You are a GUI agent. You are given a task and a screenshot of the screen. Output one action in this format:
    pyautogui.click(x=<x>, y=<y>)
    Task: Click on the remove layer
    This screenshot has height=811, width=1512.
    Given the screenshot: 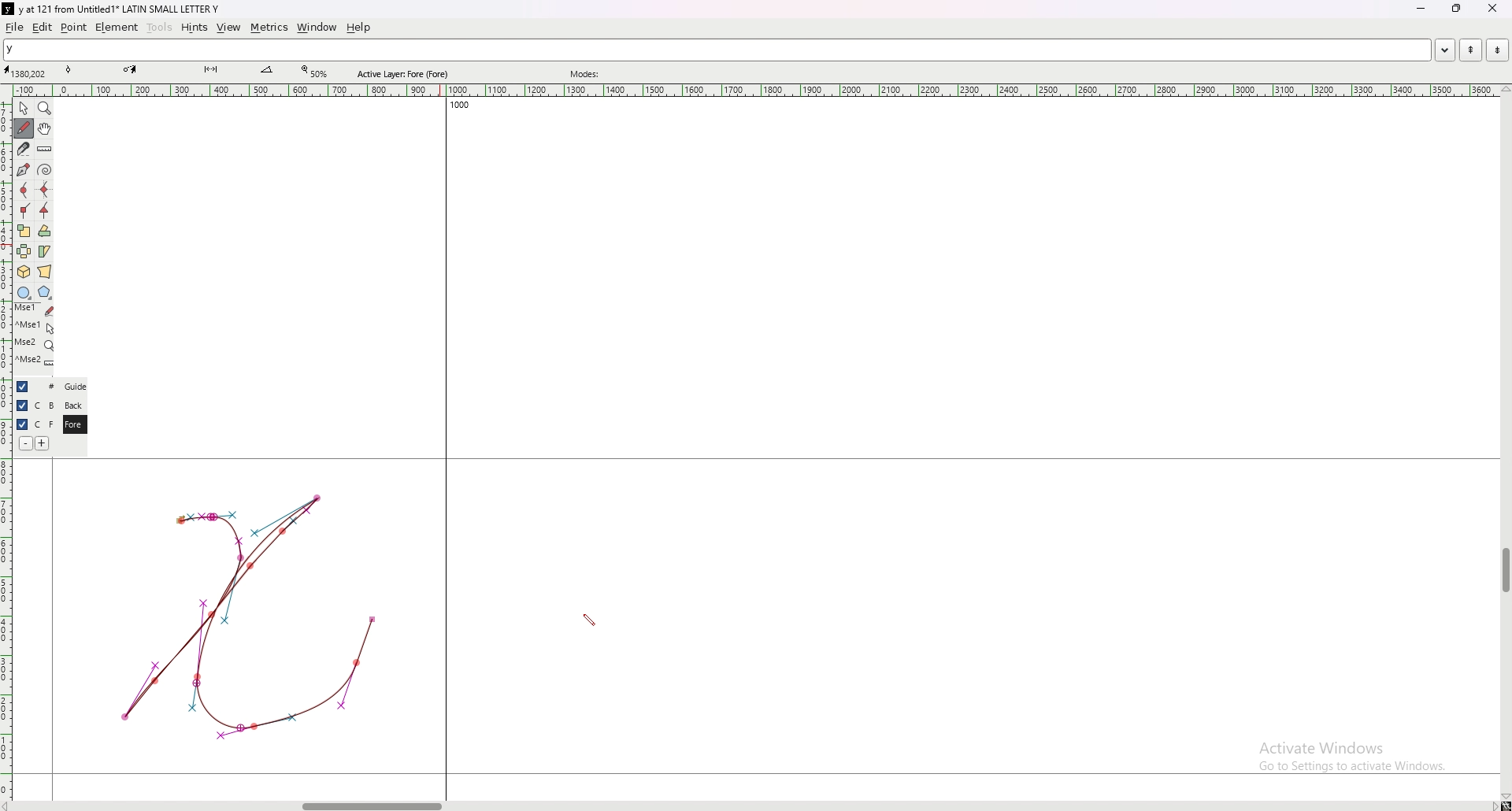 What is the action you would take?
    pyautogui.click(x=25, y=443)
    